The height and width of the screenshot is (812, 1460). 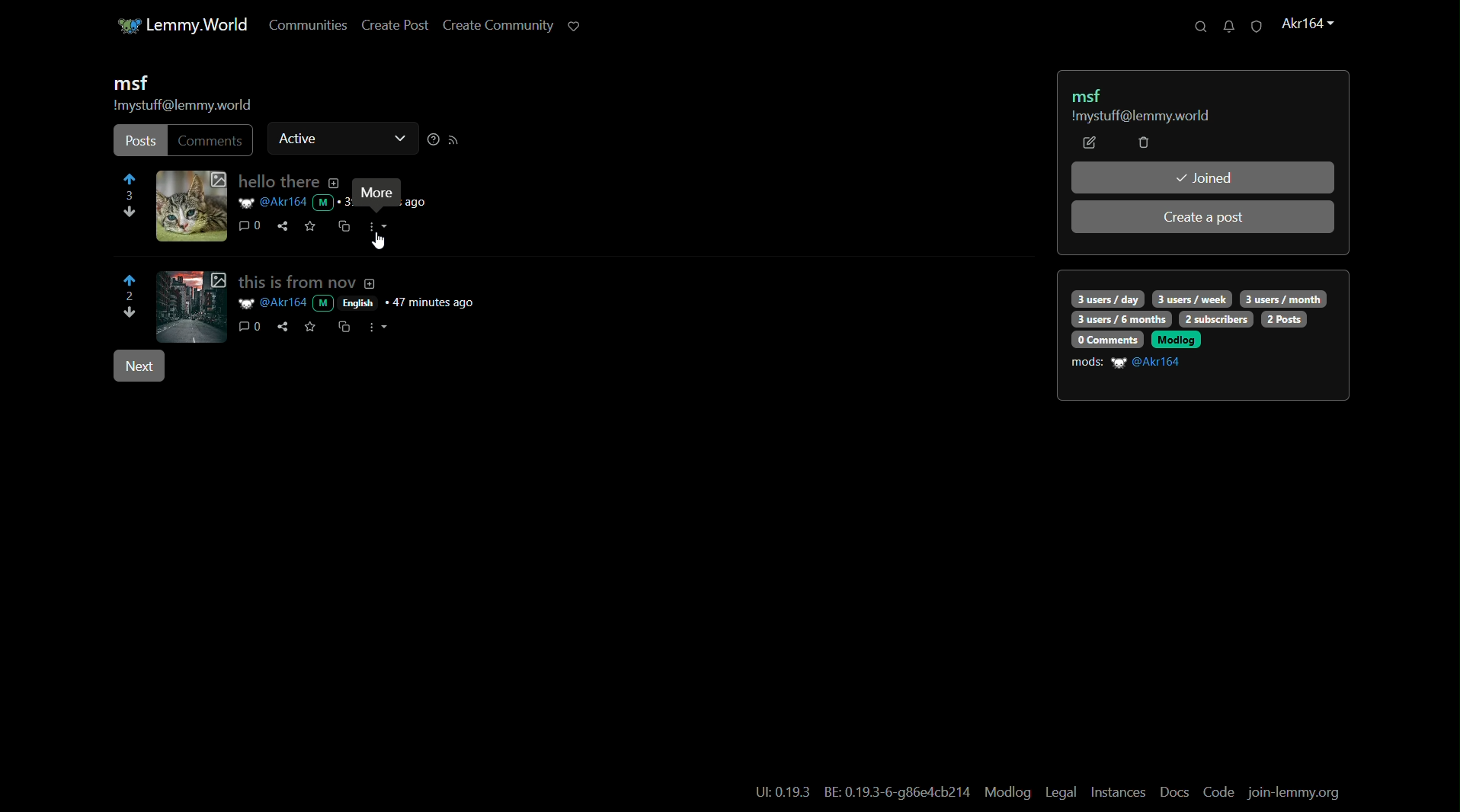 I want to click on more, so click(x=383, y=327).